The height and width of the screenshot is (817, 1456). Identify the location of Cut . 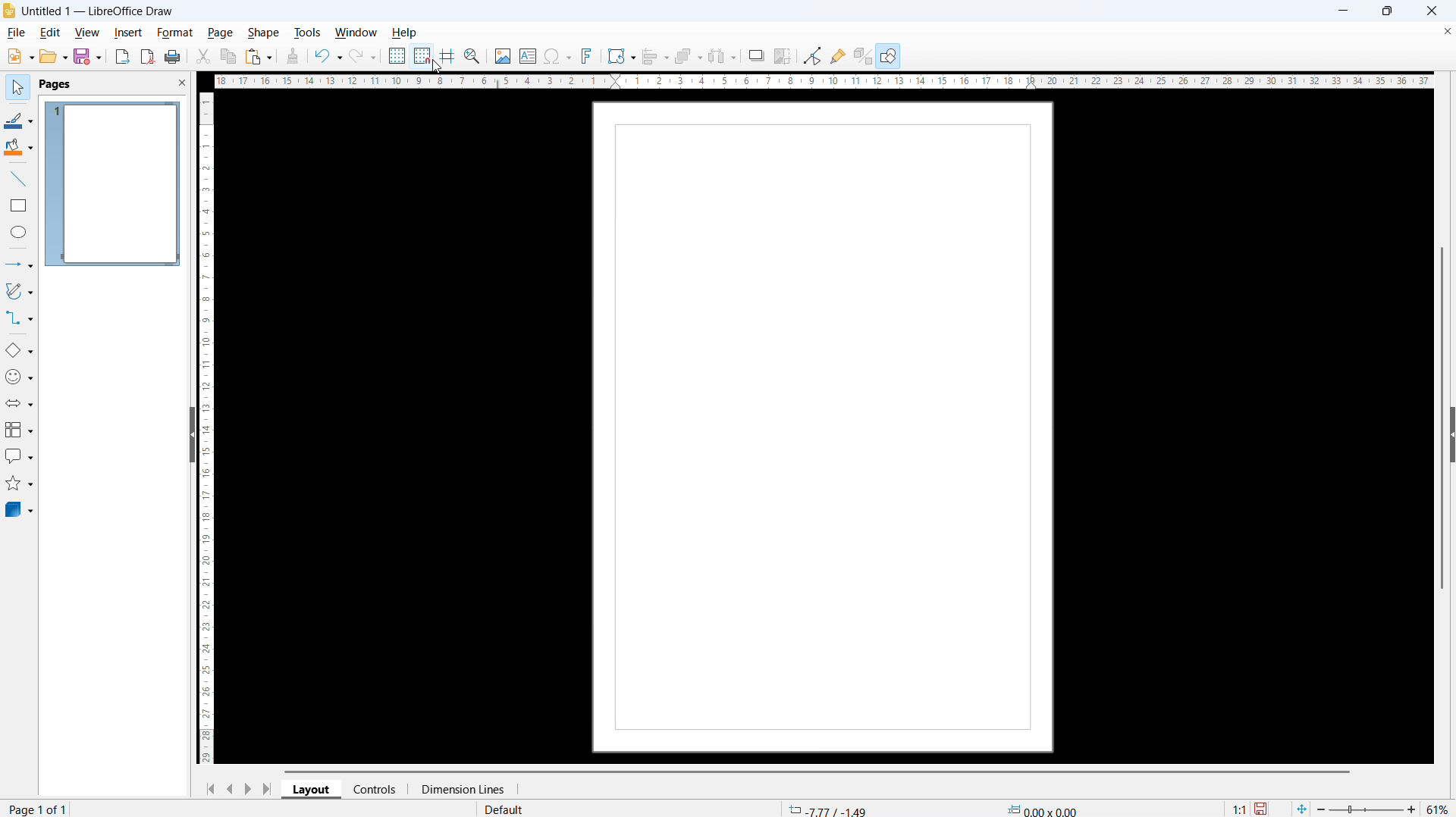
(202, 56).